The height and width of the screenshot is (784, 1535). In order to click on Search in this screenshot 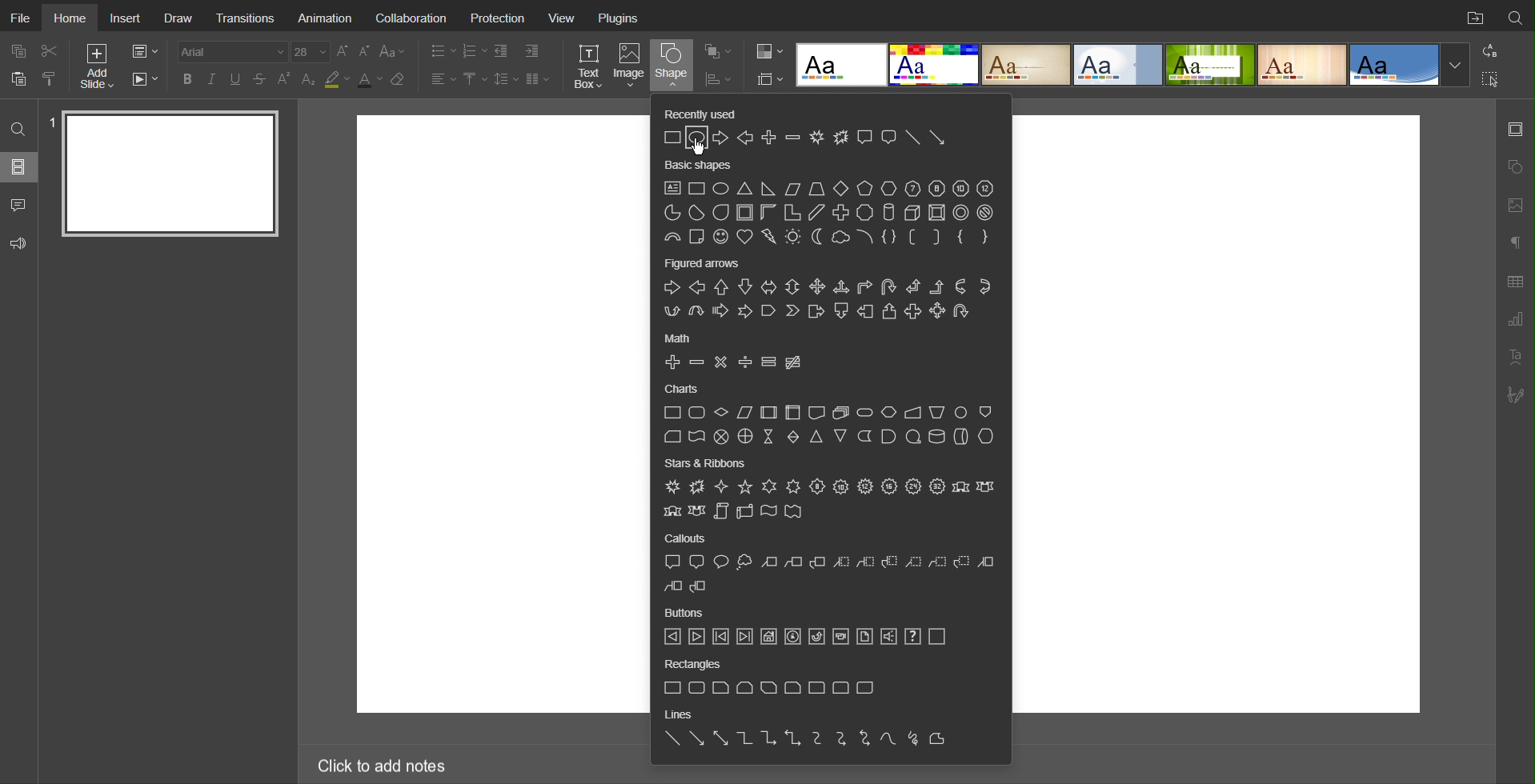, I will do `click(1516, 15)`.